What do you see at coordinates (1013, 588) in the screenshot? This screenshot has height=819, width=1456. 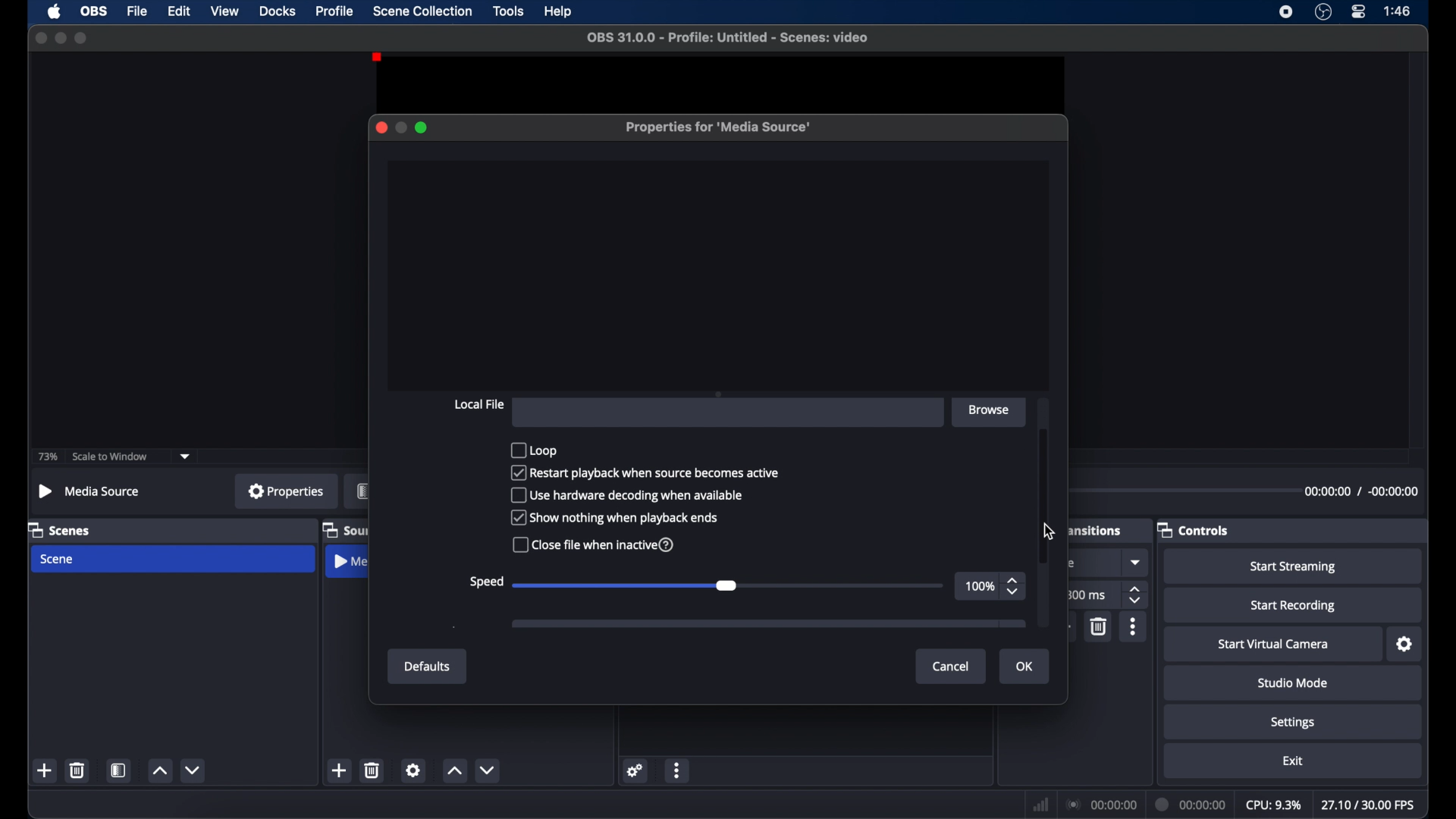 I see `stepper buttons` at bounding box center [1013, 588].